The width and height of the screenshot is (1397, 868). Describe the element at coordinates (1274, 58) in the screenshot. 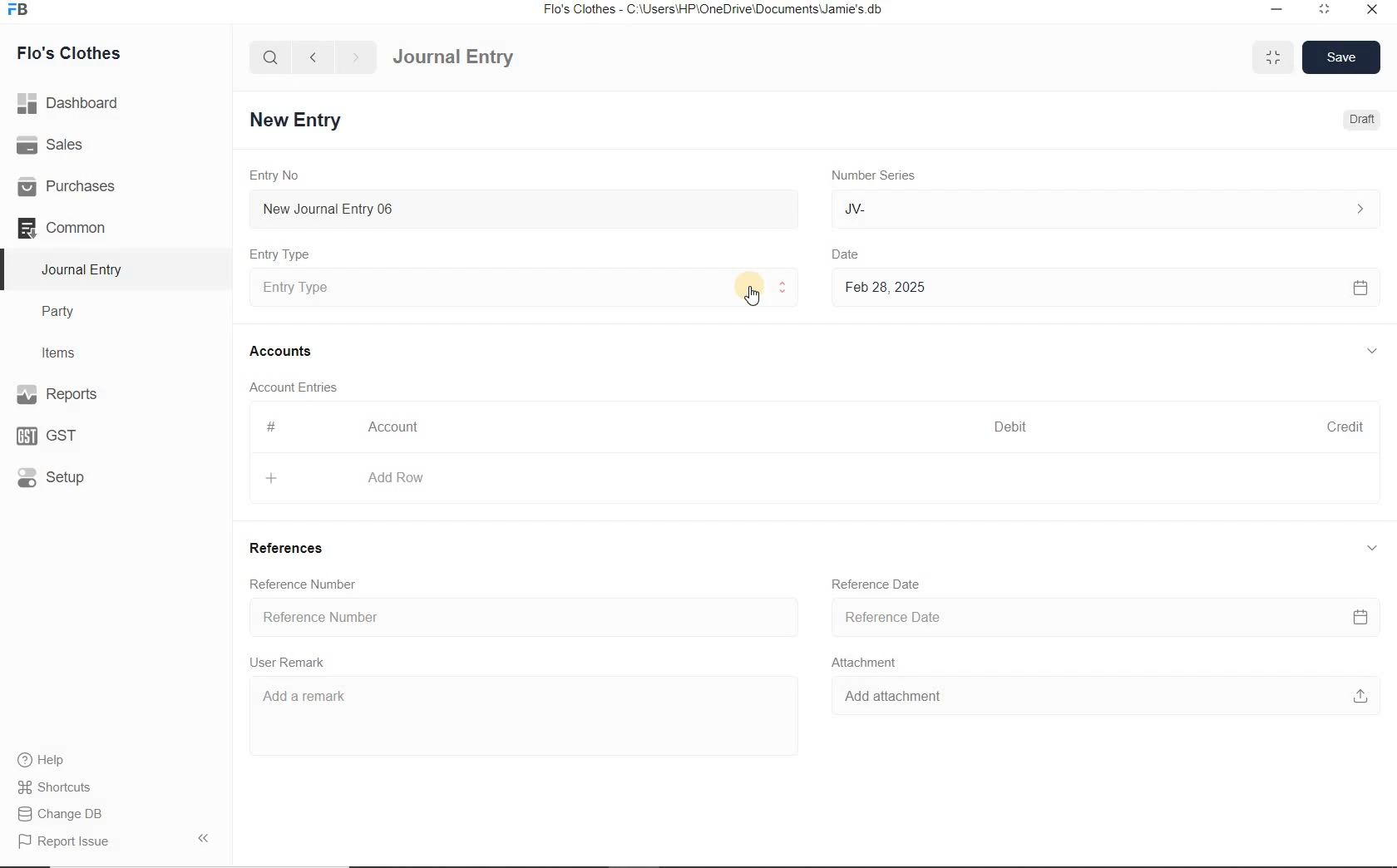

I see `minimise/maximise` at that location.